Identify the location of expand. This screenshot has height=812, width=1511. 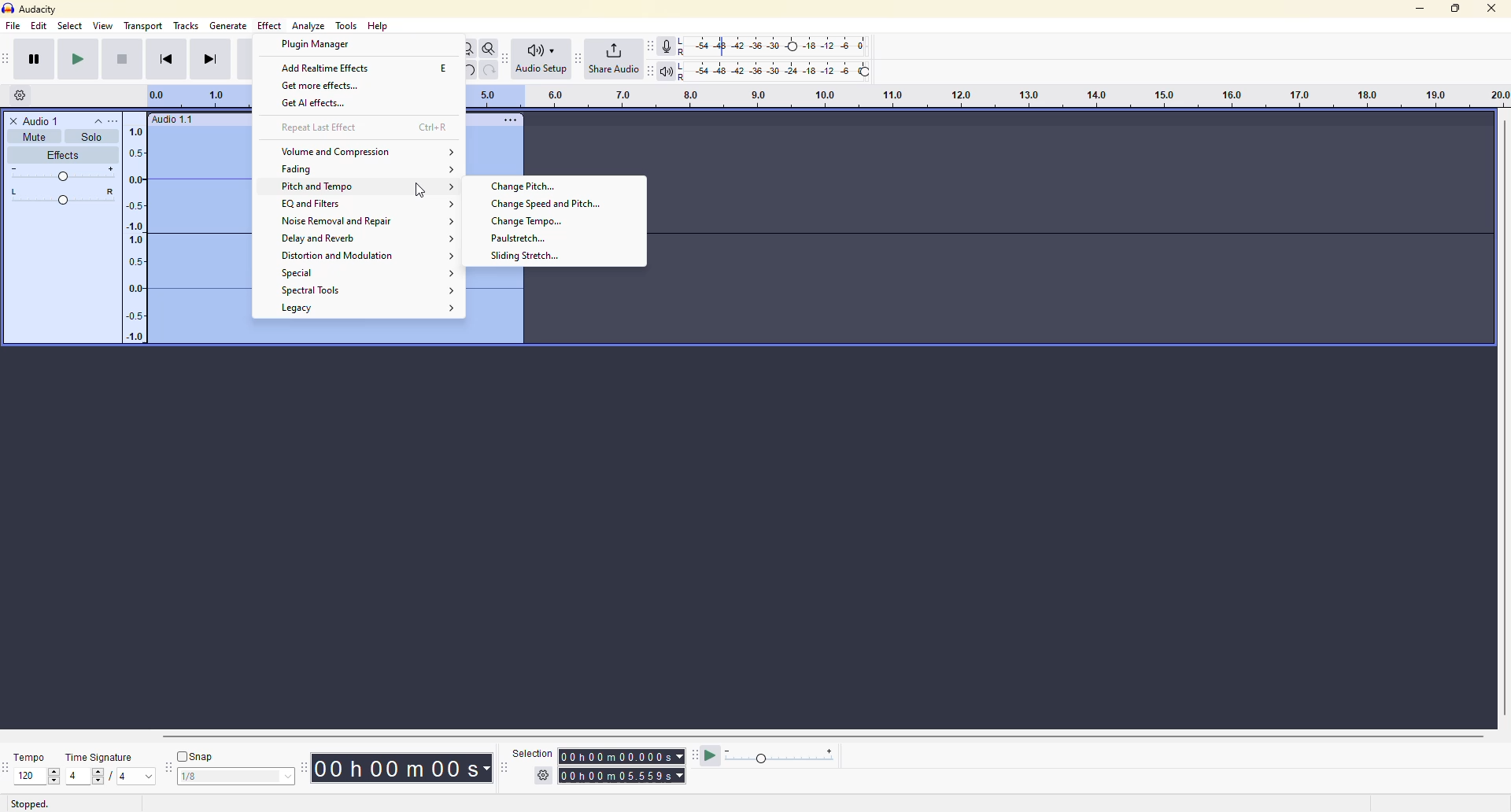
(453, 256).